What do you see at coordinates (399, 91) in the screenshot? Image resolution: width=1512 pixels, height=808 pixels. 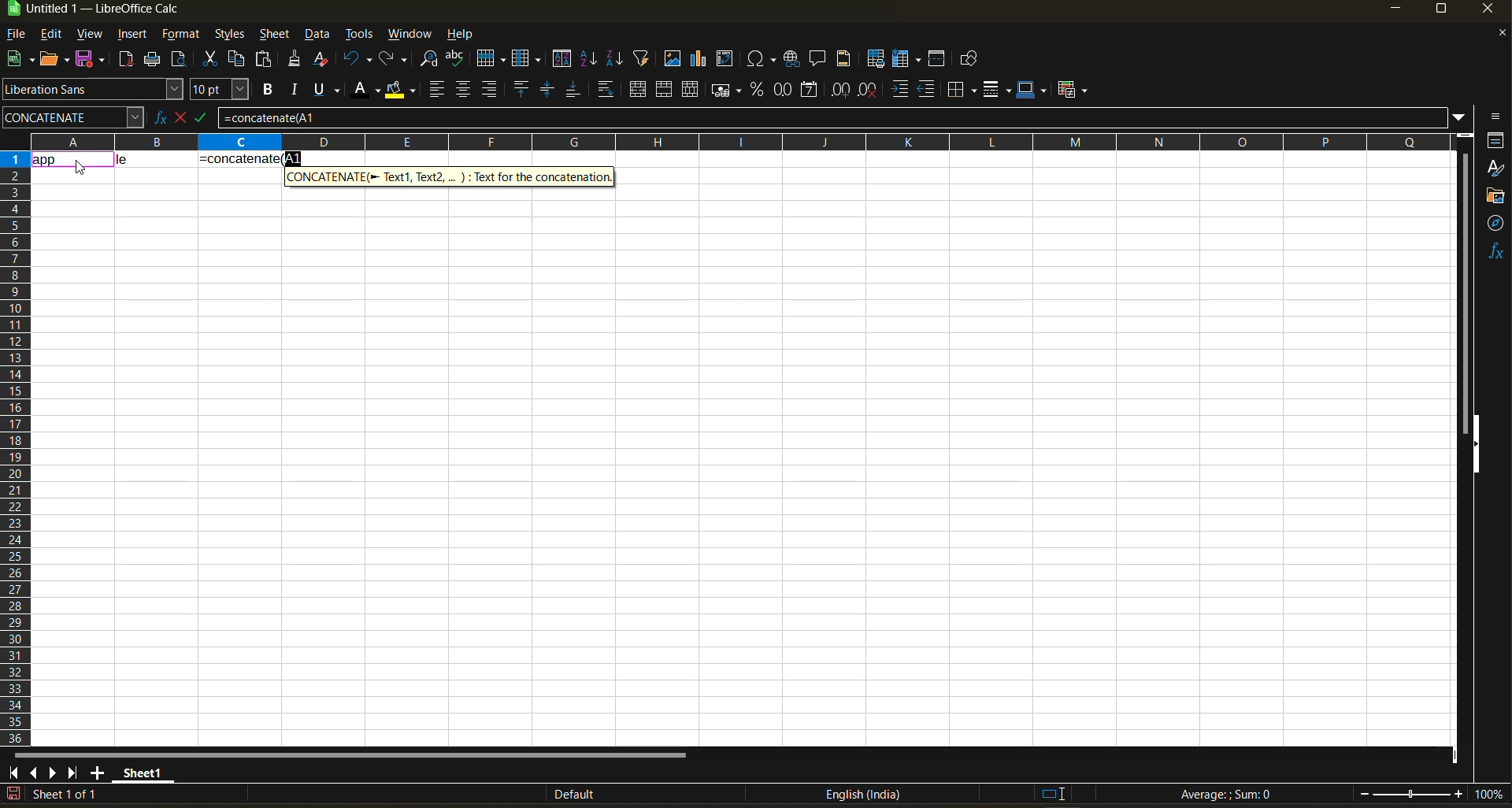 I see `background color` at bounding box center [399, 91].